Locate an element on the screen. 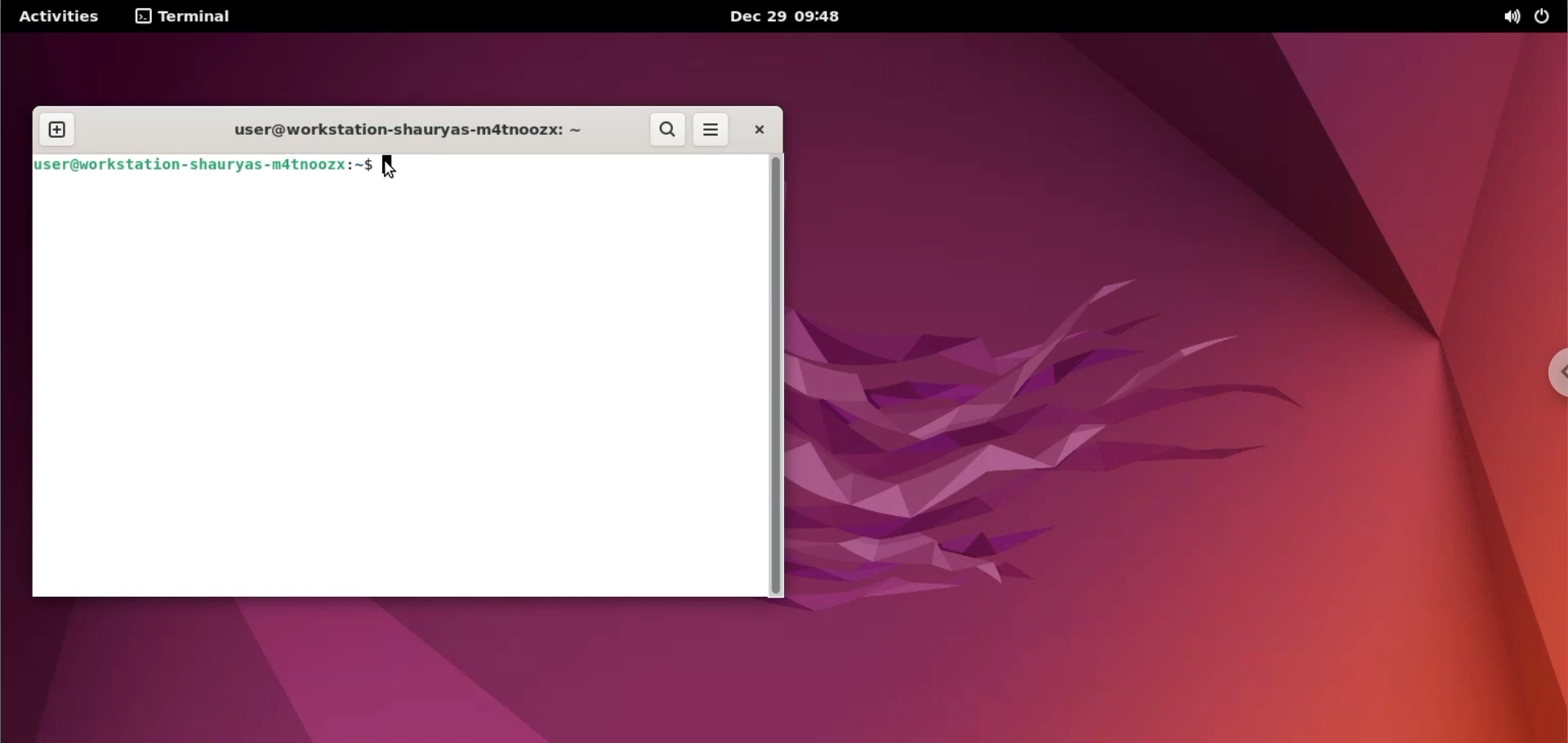 Image resolution: width=1568 pixels, height=743 pixels. Dec 29 09:48 is located at coordinates (803, 16).